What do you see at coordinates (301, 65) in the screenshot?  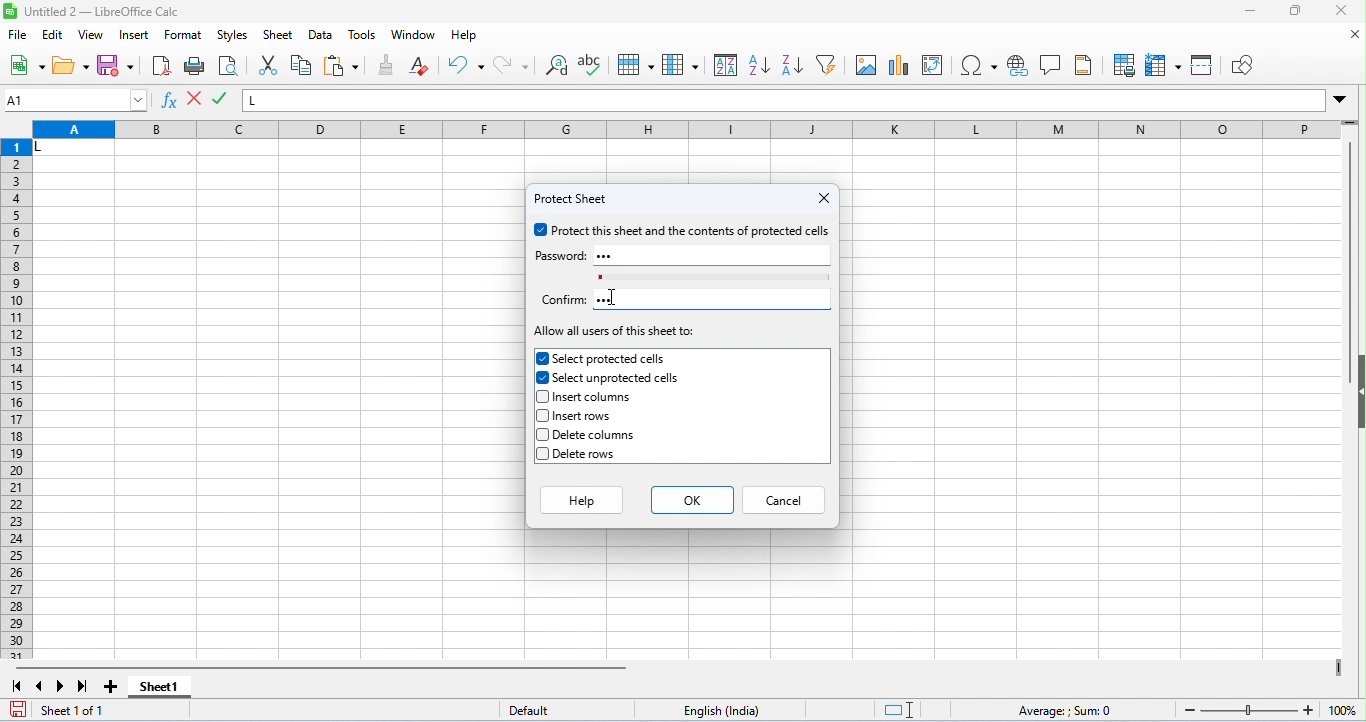 I see `copy` at bounding box center [301, 65].